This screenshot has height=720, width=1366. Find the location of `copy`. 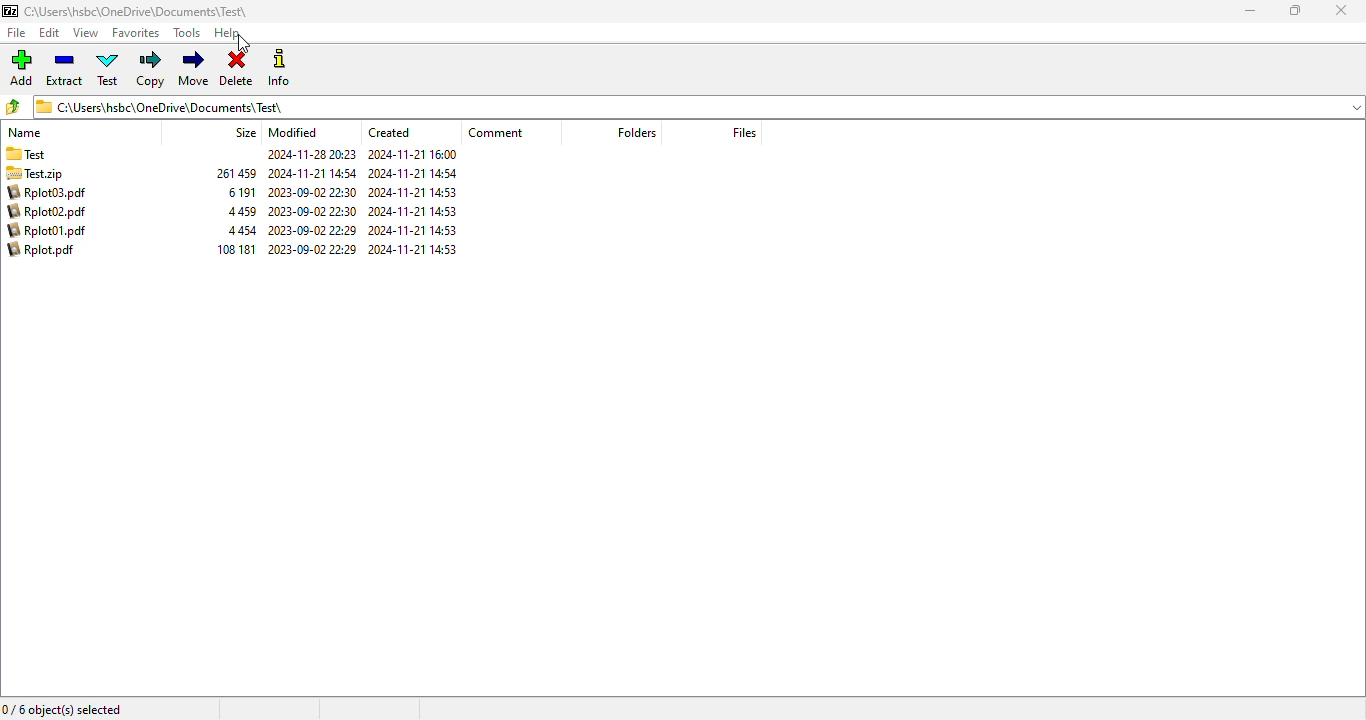

copy is located at coordinates (151, 69).